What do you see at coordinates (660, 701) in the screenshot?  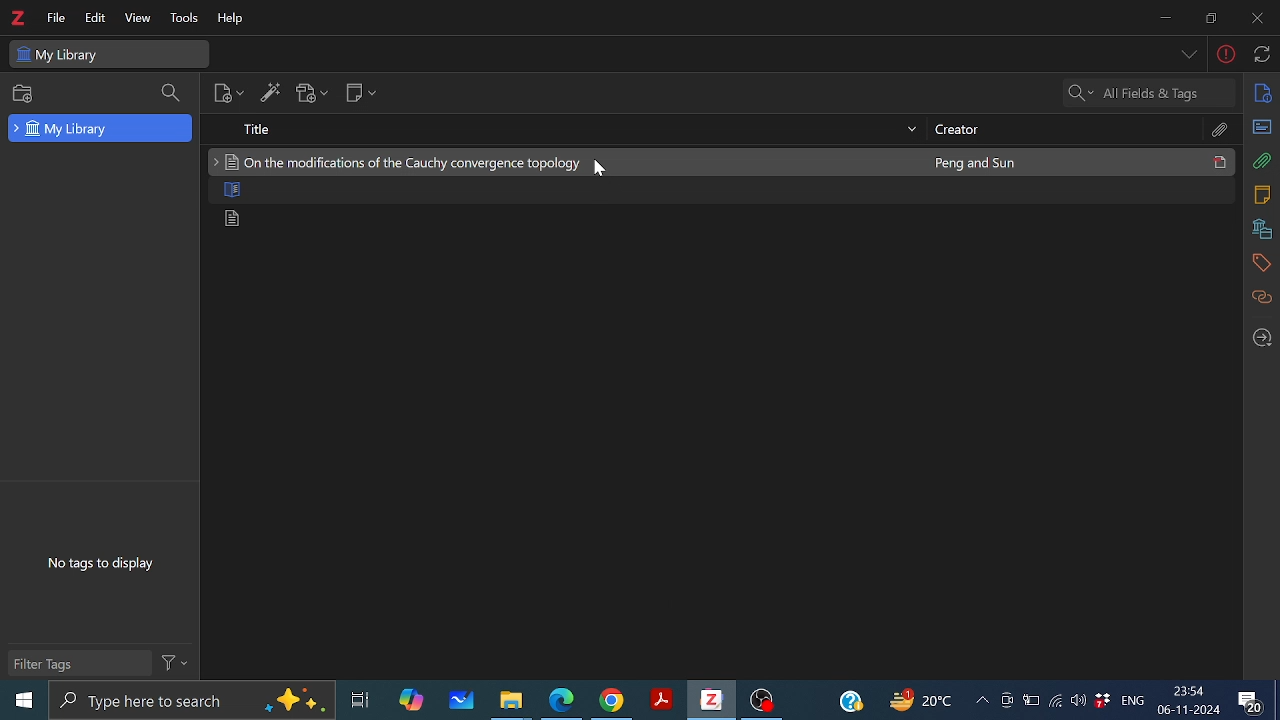 I see `Adobe reader` at bounding box center [660, 701].